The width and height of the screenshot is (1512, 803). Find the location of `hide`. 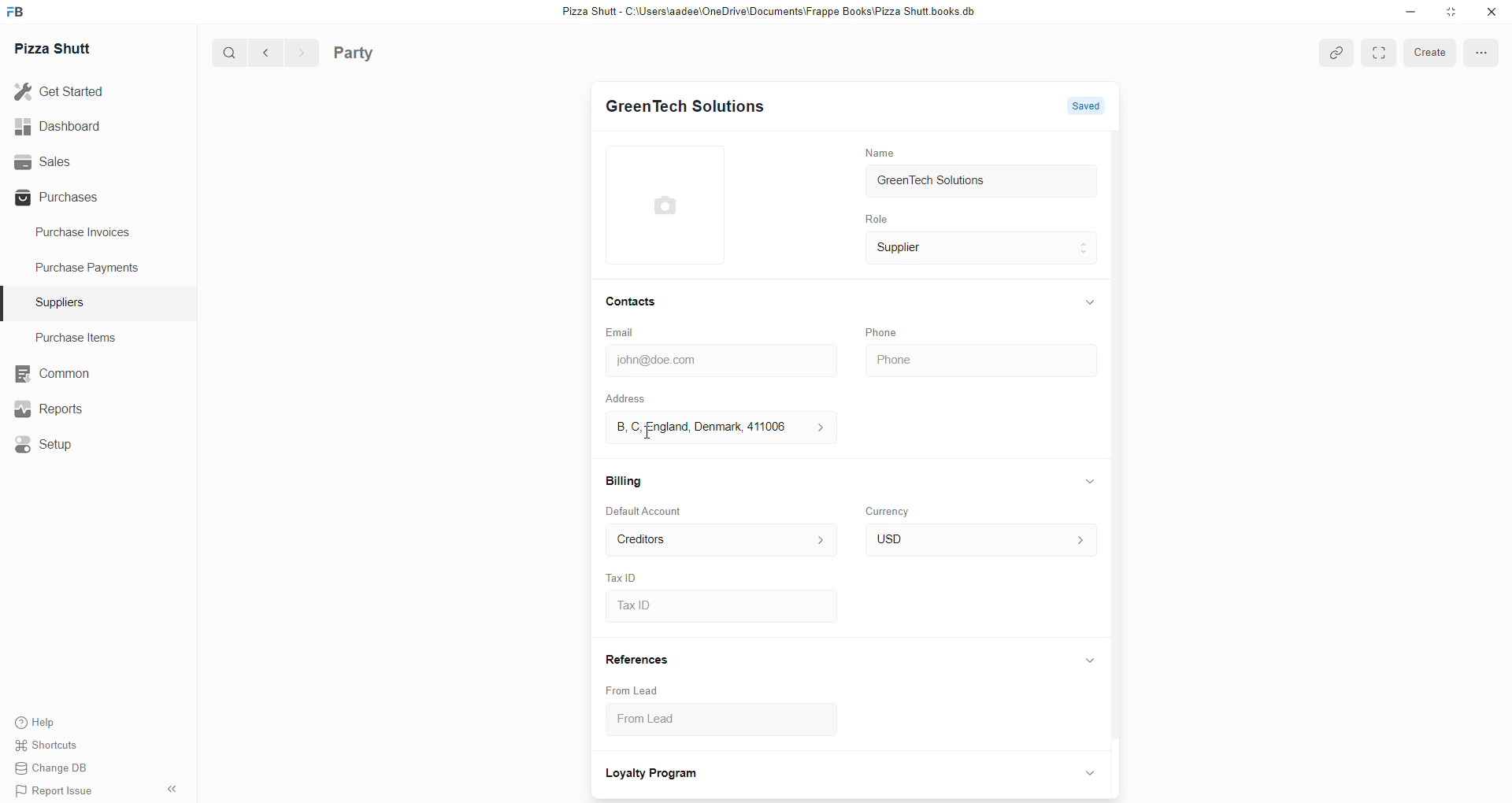

hide is located at coordinates (1088, 661).